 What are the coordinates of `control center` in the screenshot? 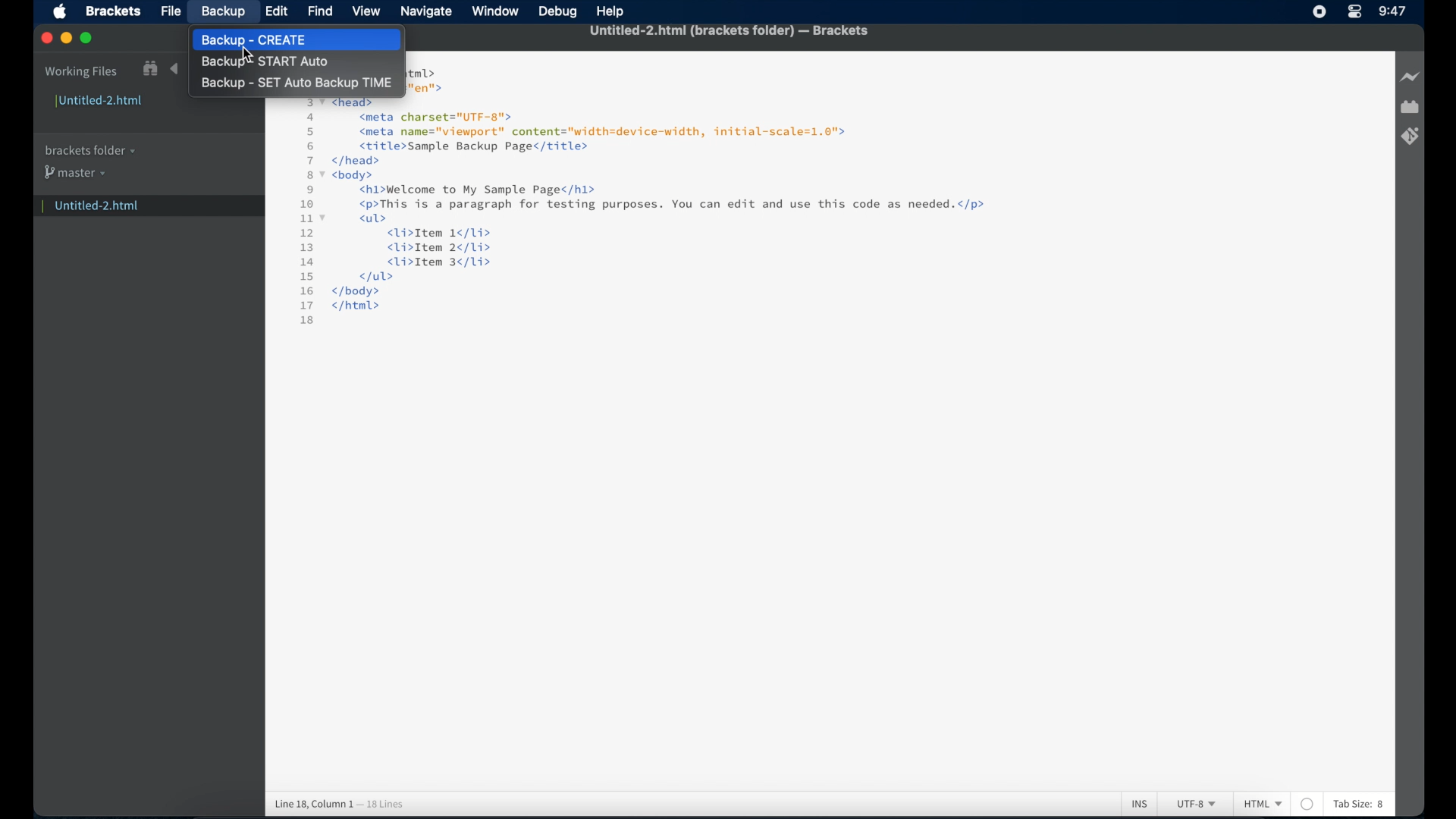 It's located at (1354, 12).